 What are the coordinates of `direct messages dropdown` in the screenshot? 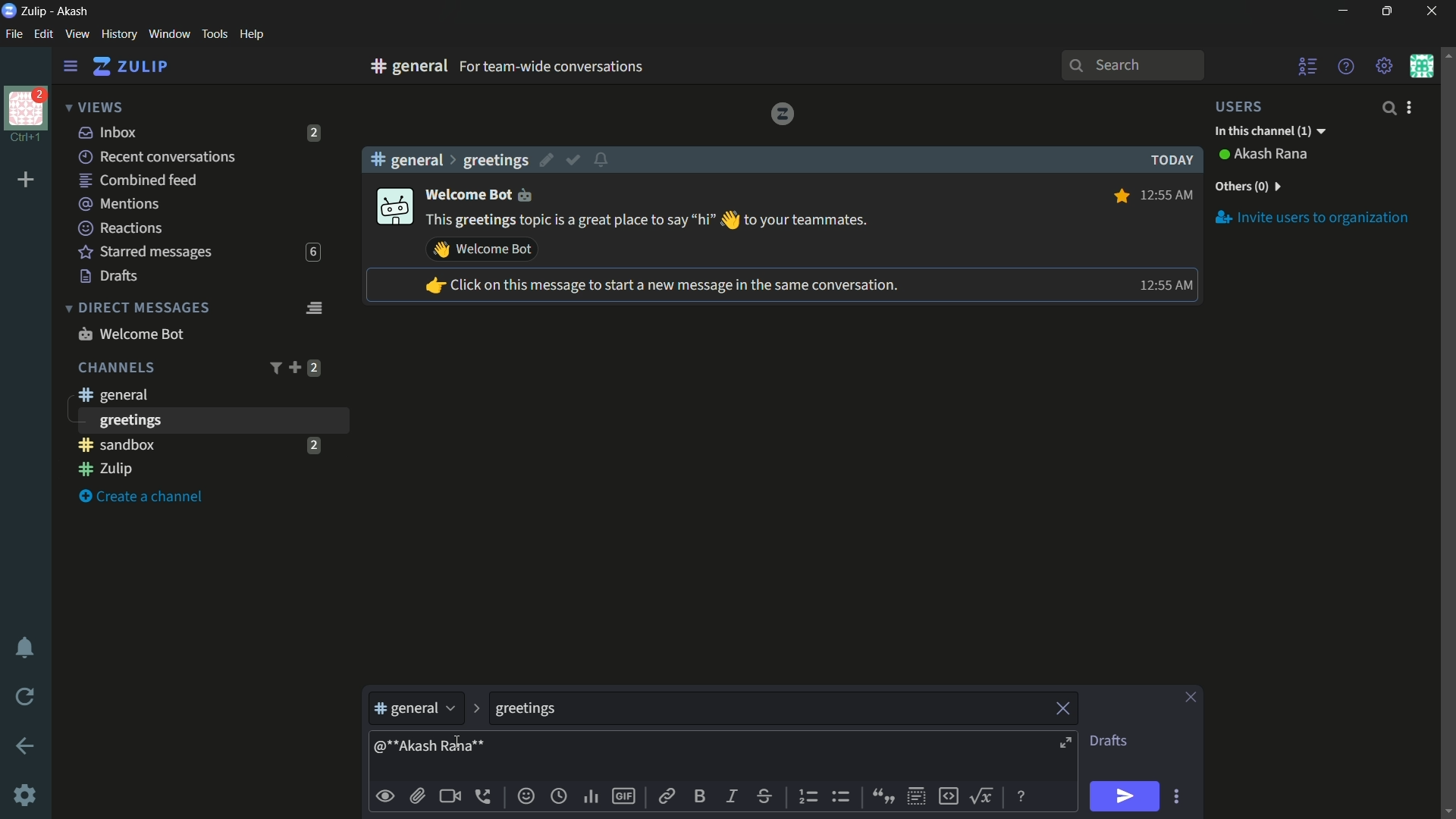 It's located at (136, 309).